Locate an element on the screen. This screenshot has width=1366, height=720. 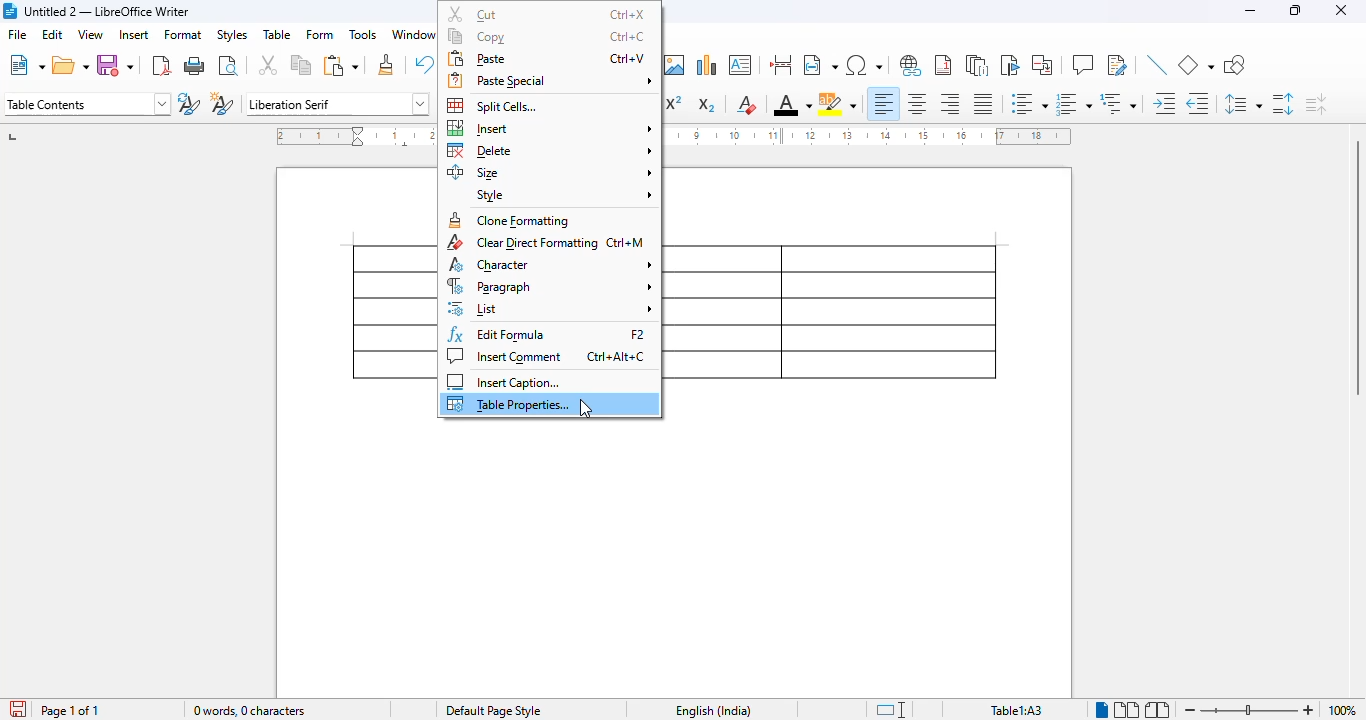
word and character count is located at coordinates (248, 710).